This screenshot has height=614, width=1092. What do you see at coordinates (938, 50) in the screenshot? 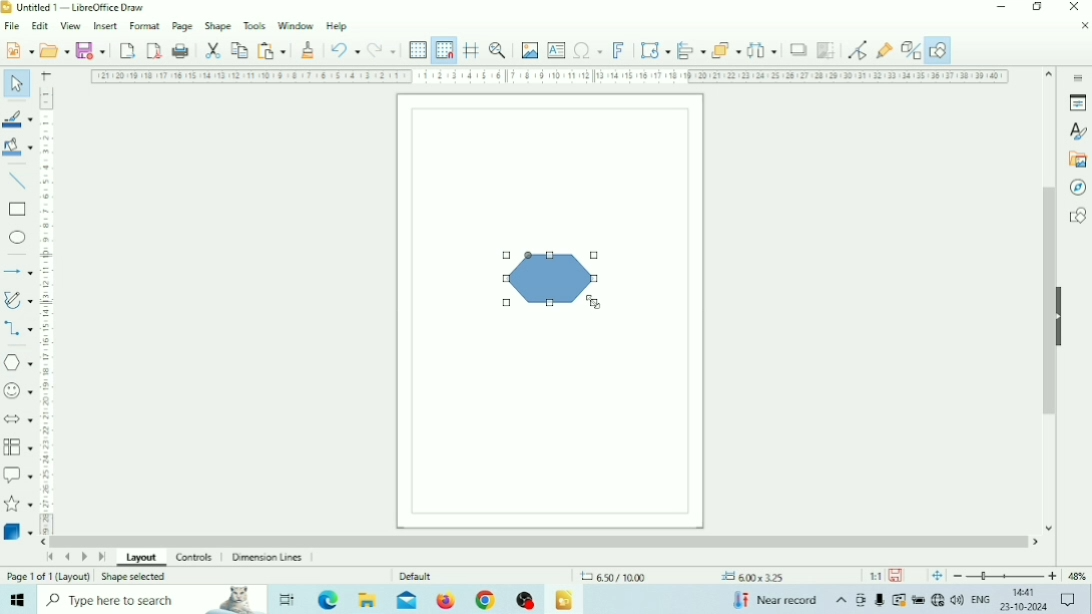
I see `Show Draw Functions` at bounding box center [938, 50].